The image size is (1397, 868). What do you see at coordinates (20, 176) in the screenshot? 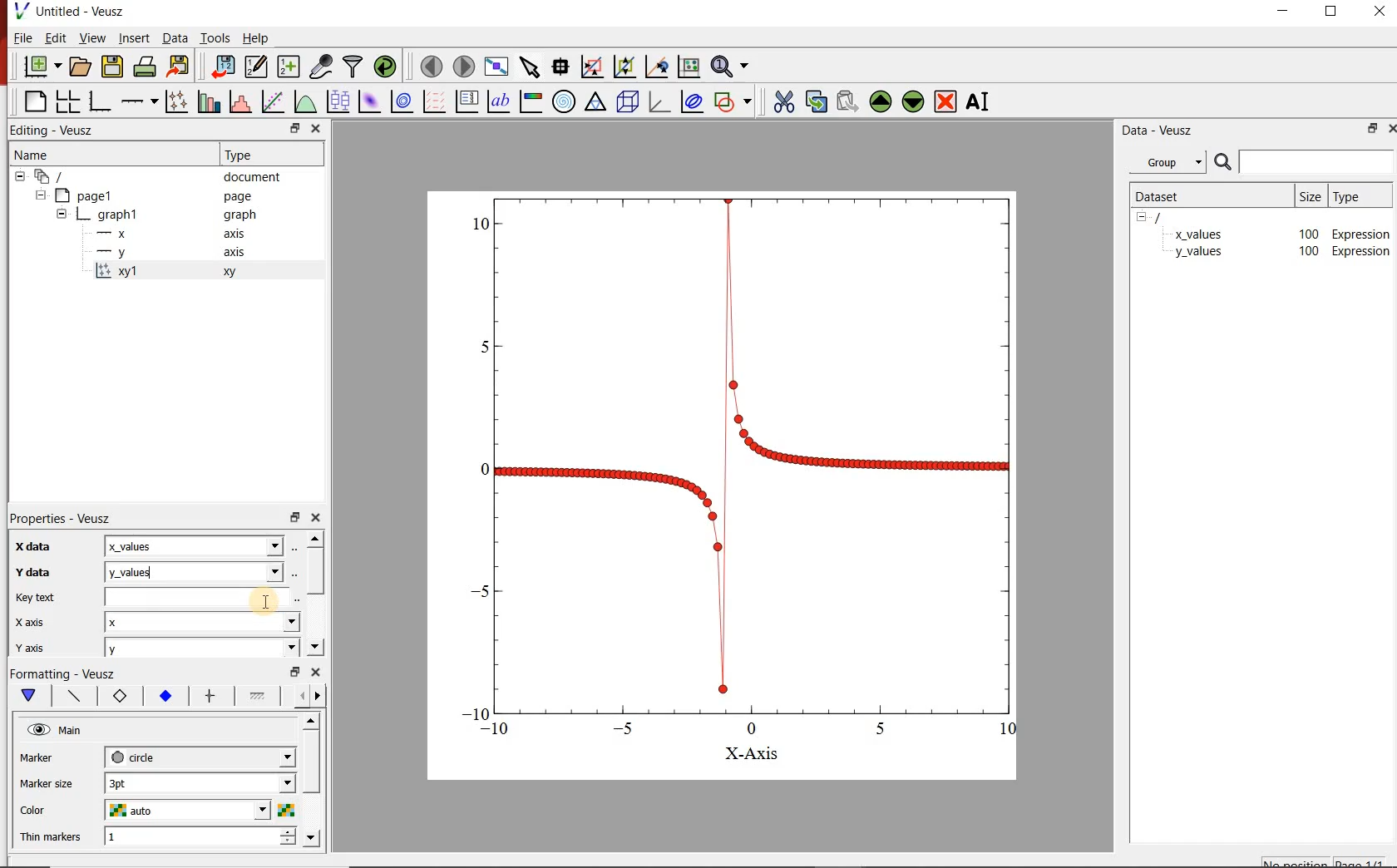
I see `hide` at bounding box center [20, 176].